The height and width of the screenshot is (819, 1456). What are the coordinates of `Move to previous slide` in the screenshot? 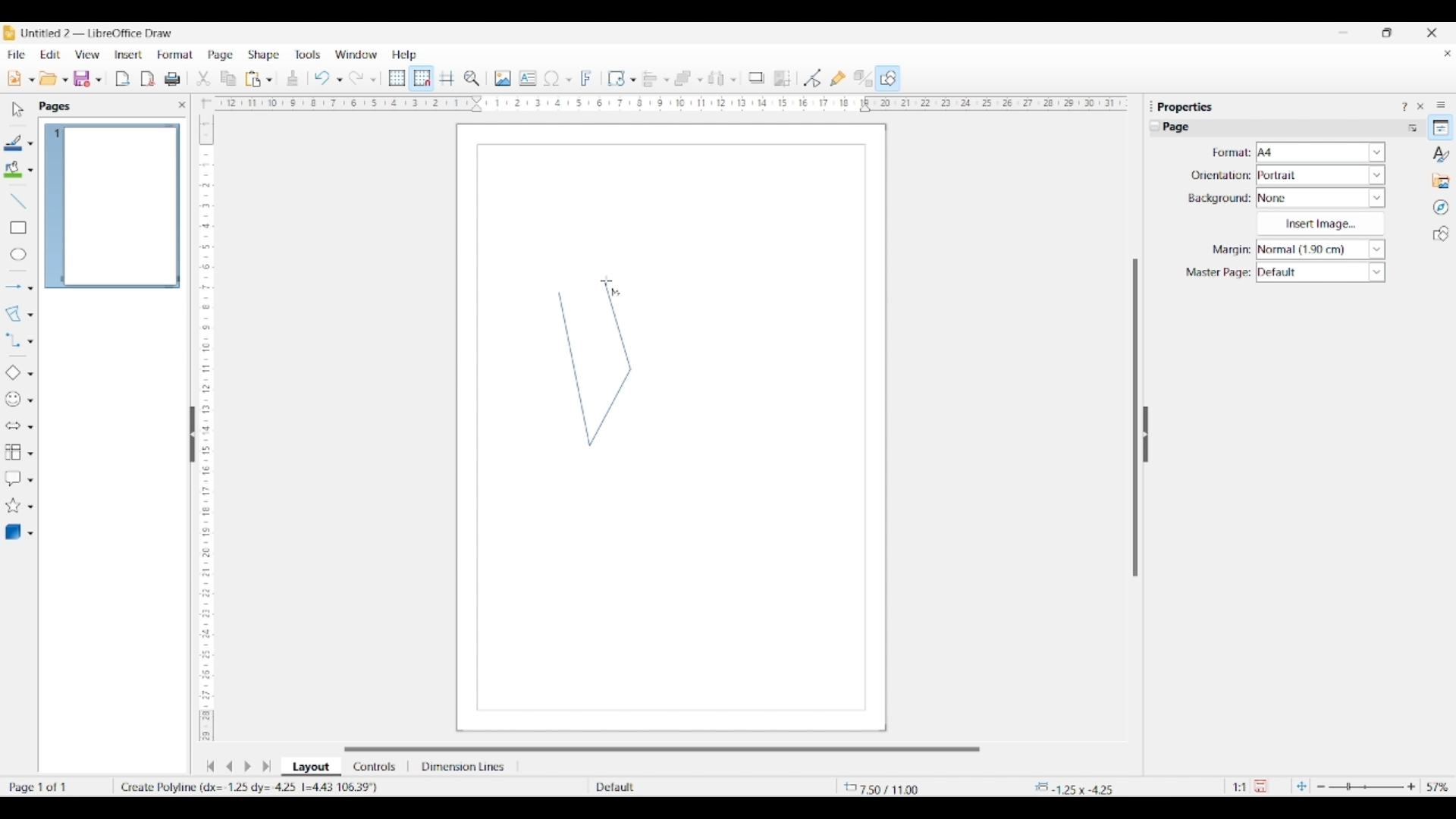 It's located at (229, 766).